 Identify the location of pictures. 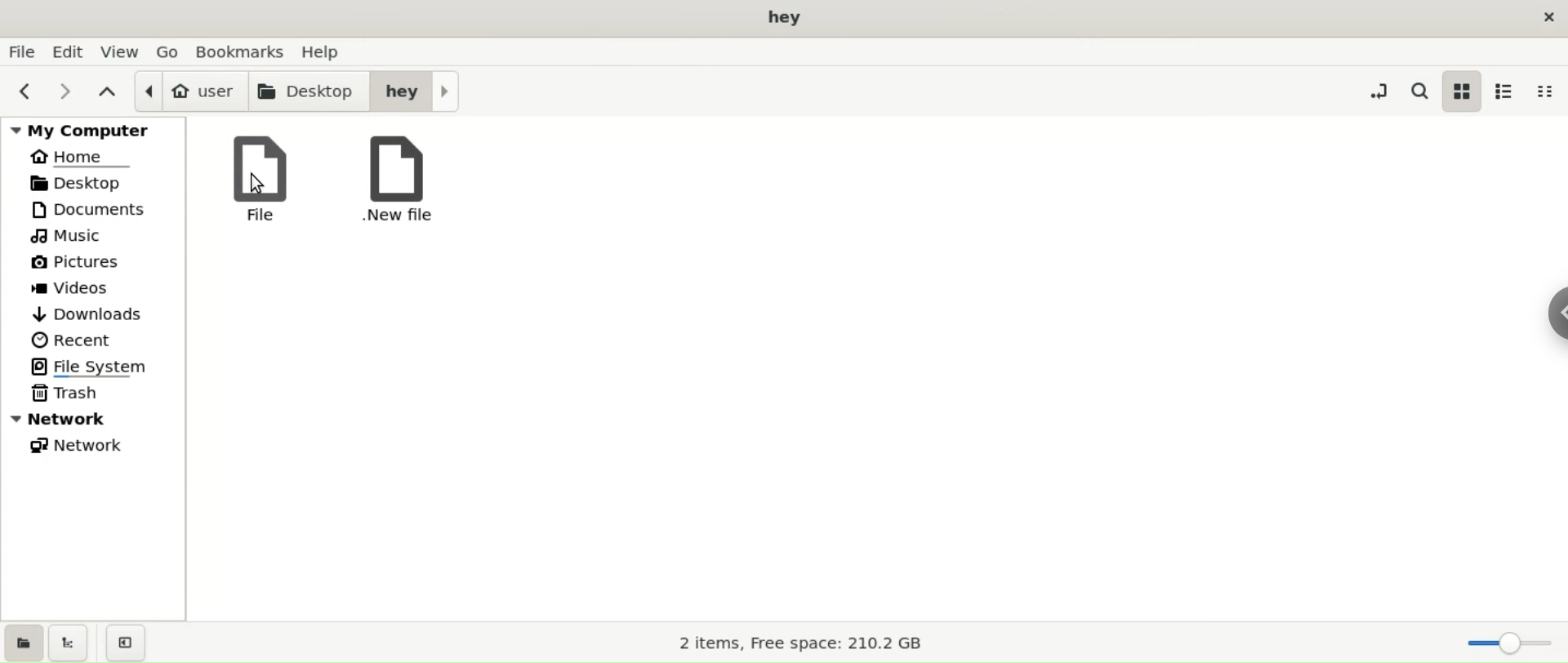
(92, 264).